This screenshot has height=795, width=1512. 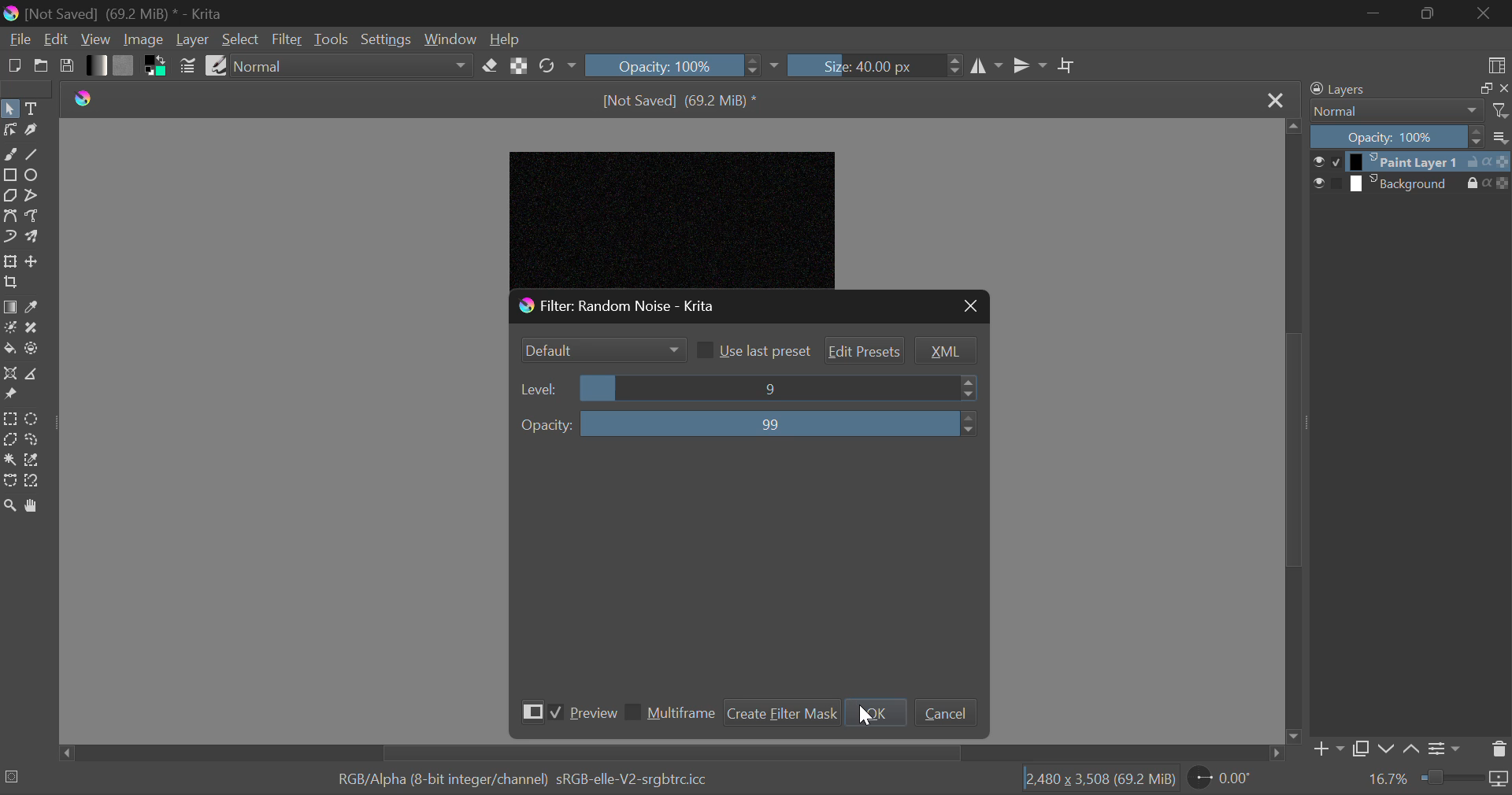 I want to click on Rectangular Selection, so click(x=10, y=418).